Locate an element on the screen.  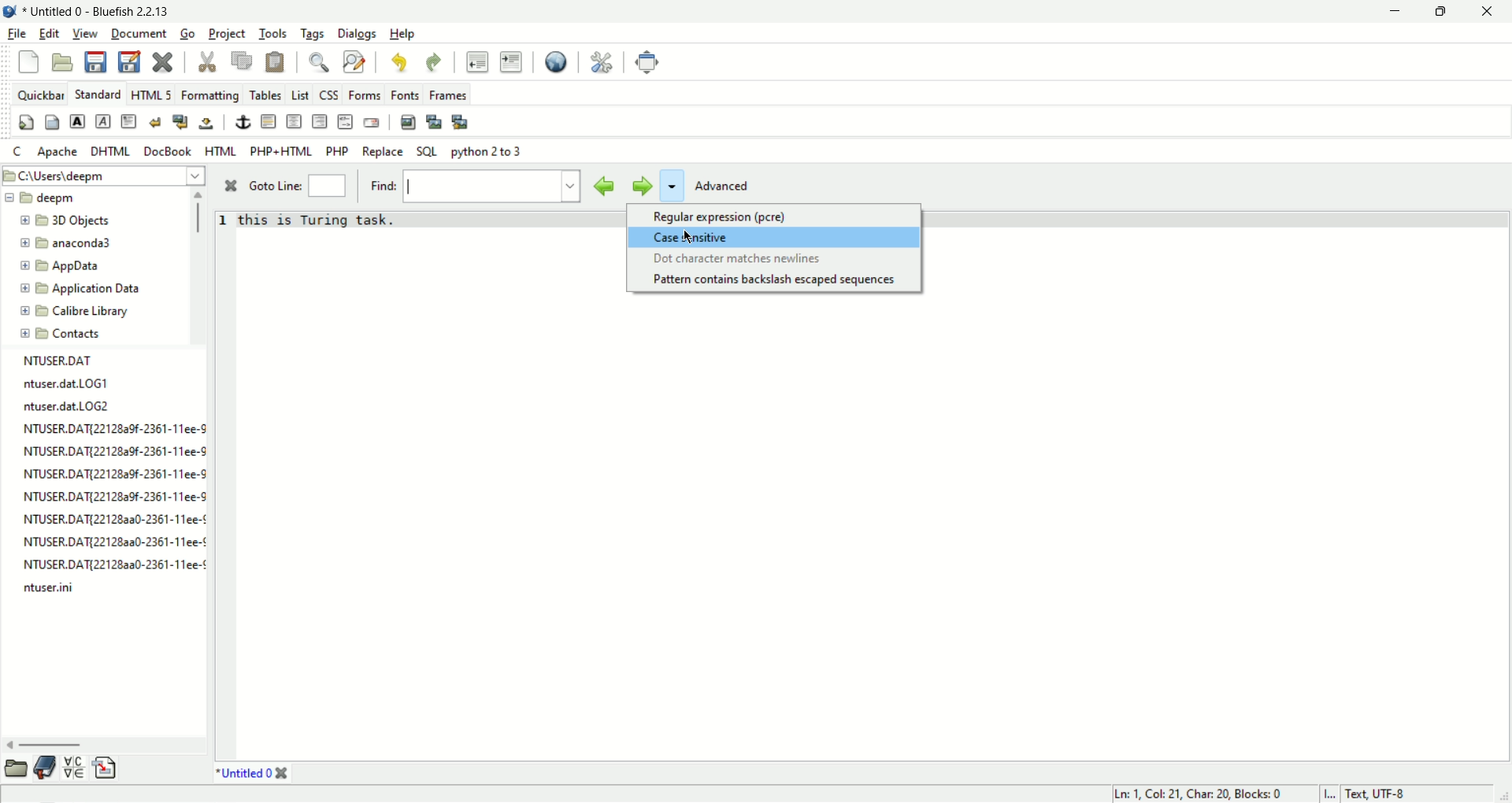
Find option is located at coordinates (672, 186).